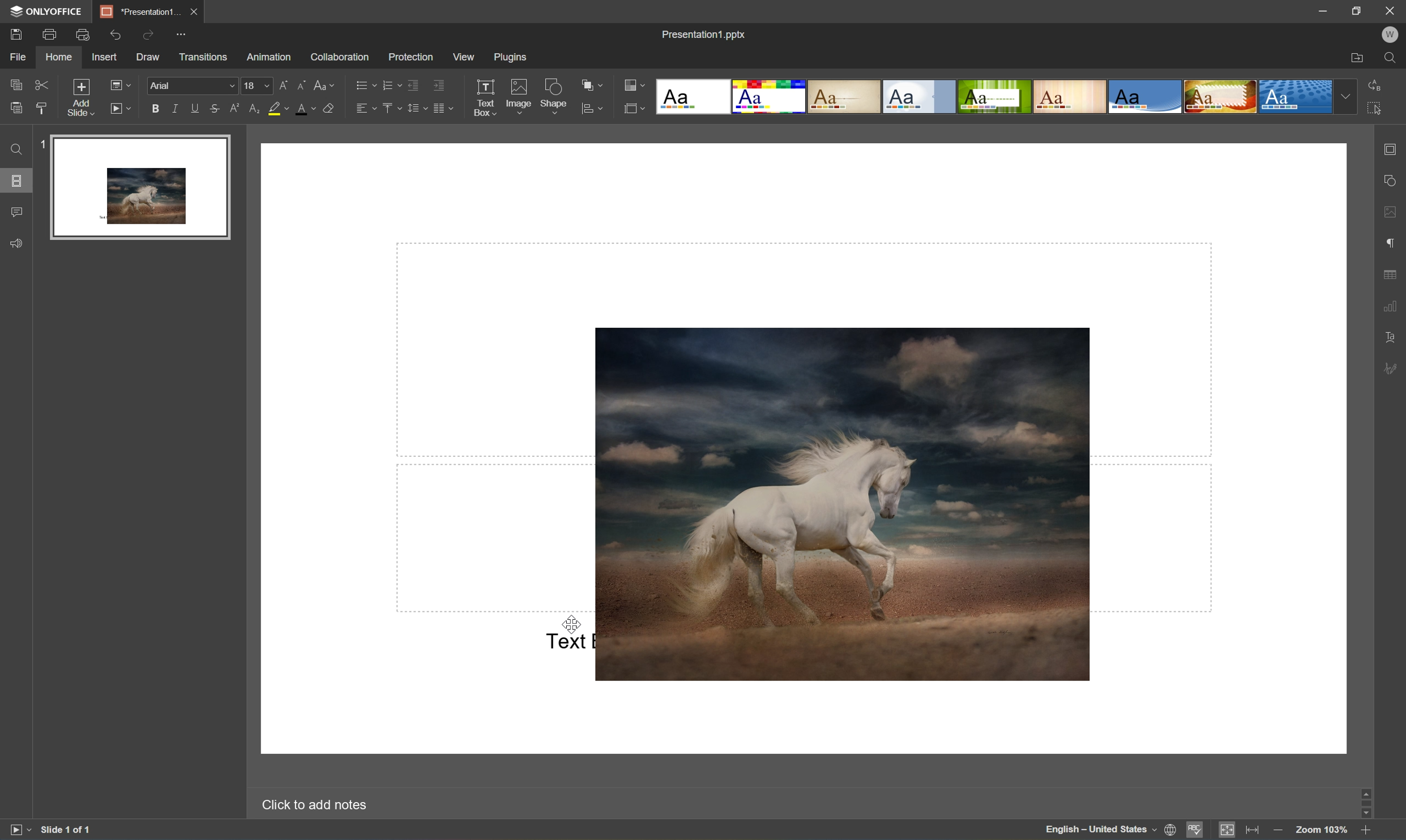  What do you see at coordinates (1146, 96) in the screenshot?
I see `Office` at bounding box center [1146, 96].